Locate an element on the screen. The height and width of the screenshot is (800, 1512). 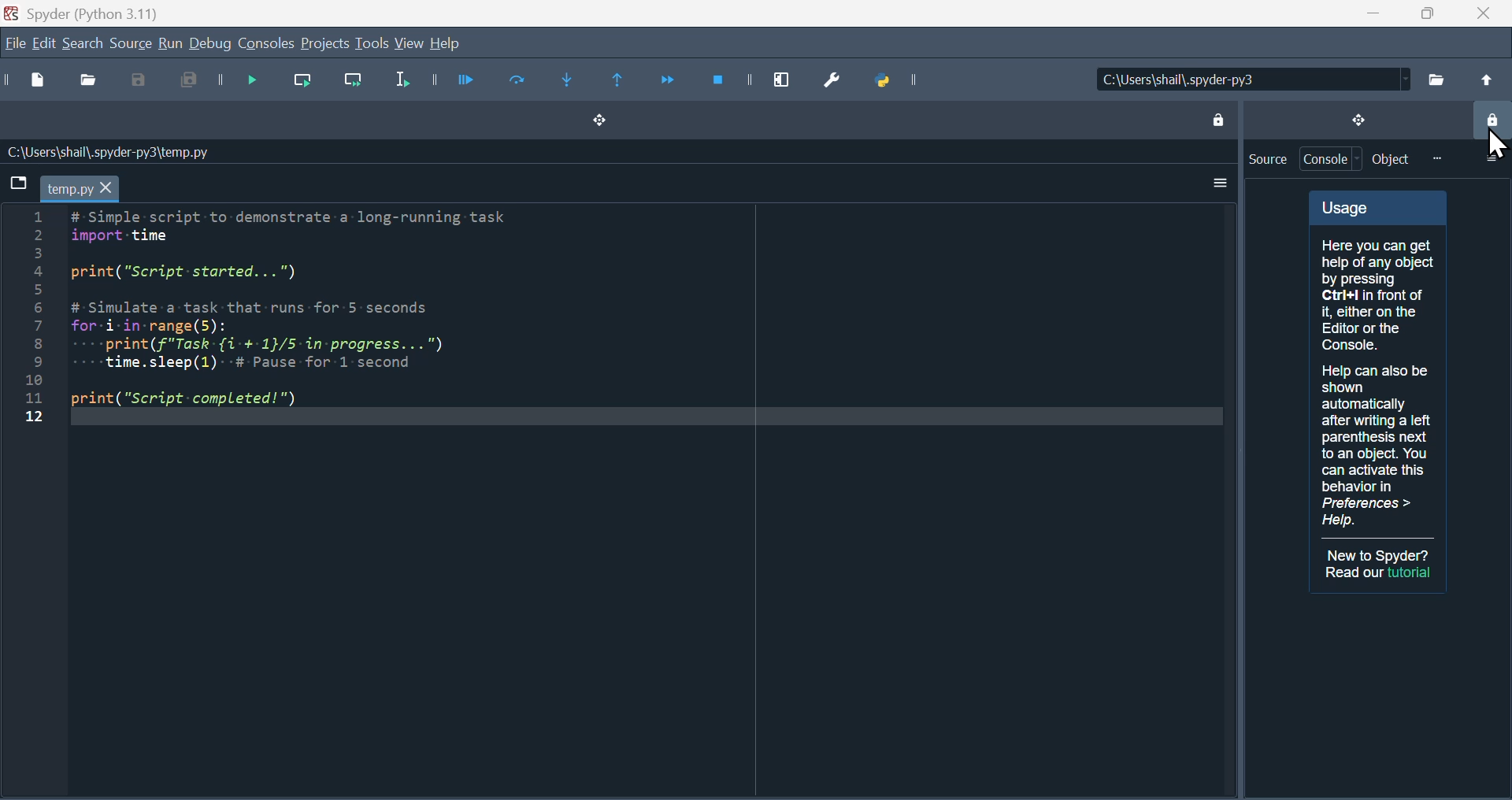
help is located at coordinates (445, 43).